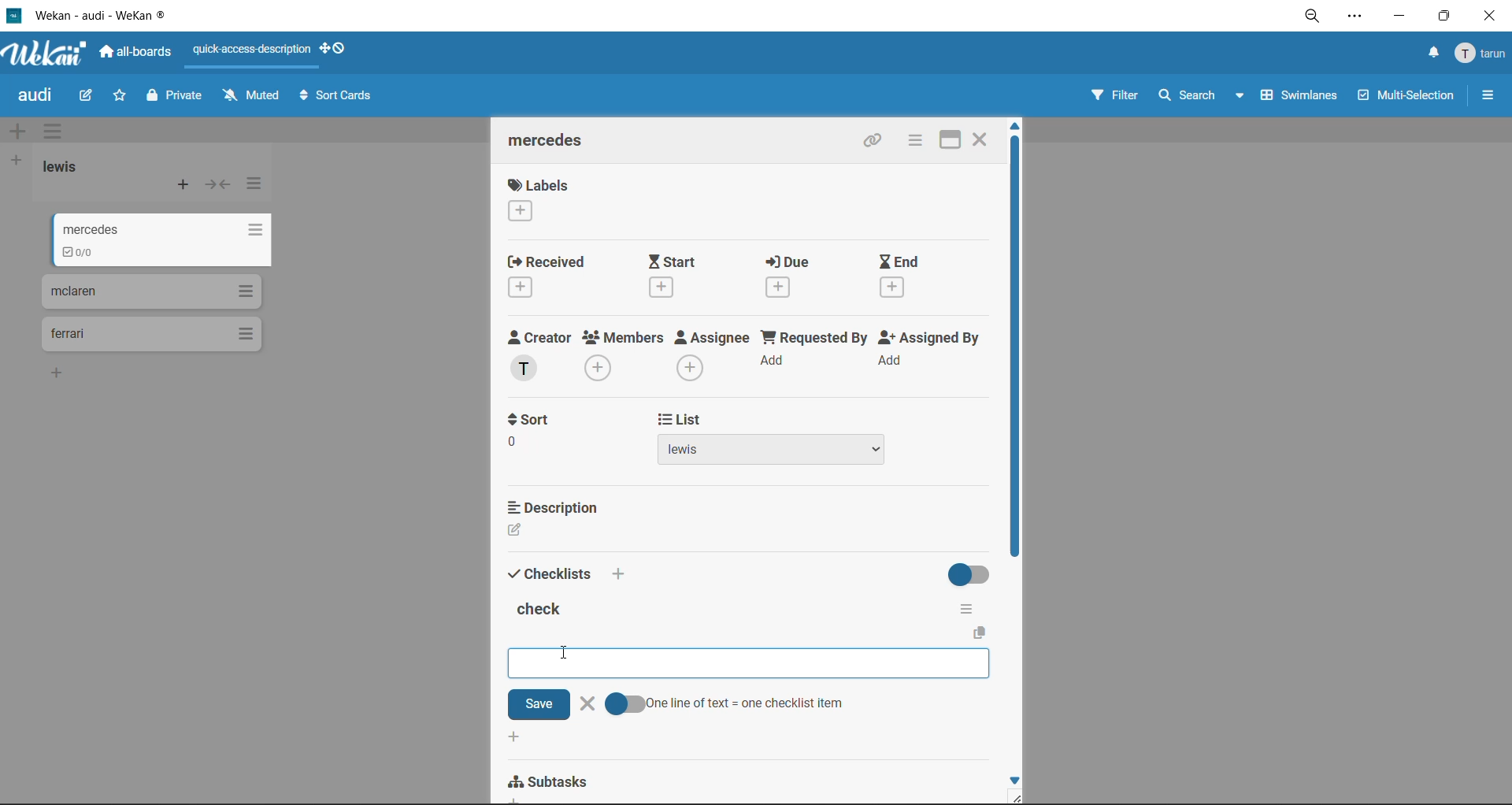 Image resolution: width=1512 pixels, height=805 pixels. I want to click on show desktop drag handles, so click(339, 48).